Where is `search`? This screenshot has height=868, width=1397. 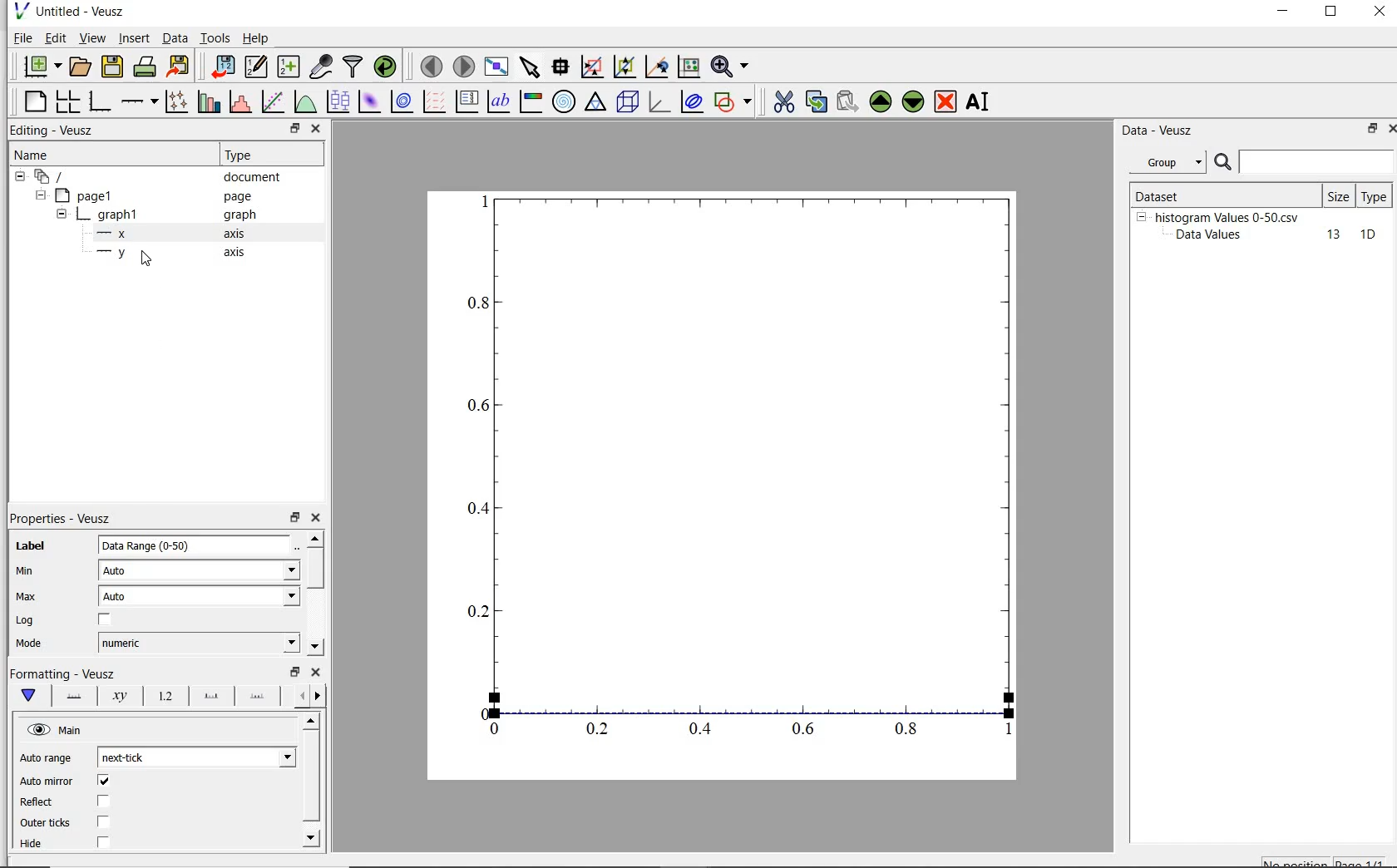 search is located at coordinates (1224, 163).